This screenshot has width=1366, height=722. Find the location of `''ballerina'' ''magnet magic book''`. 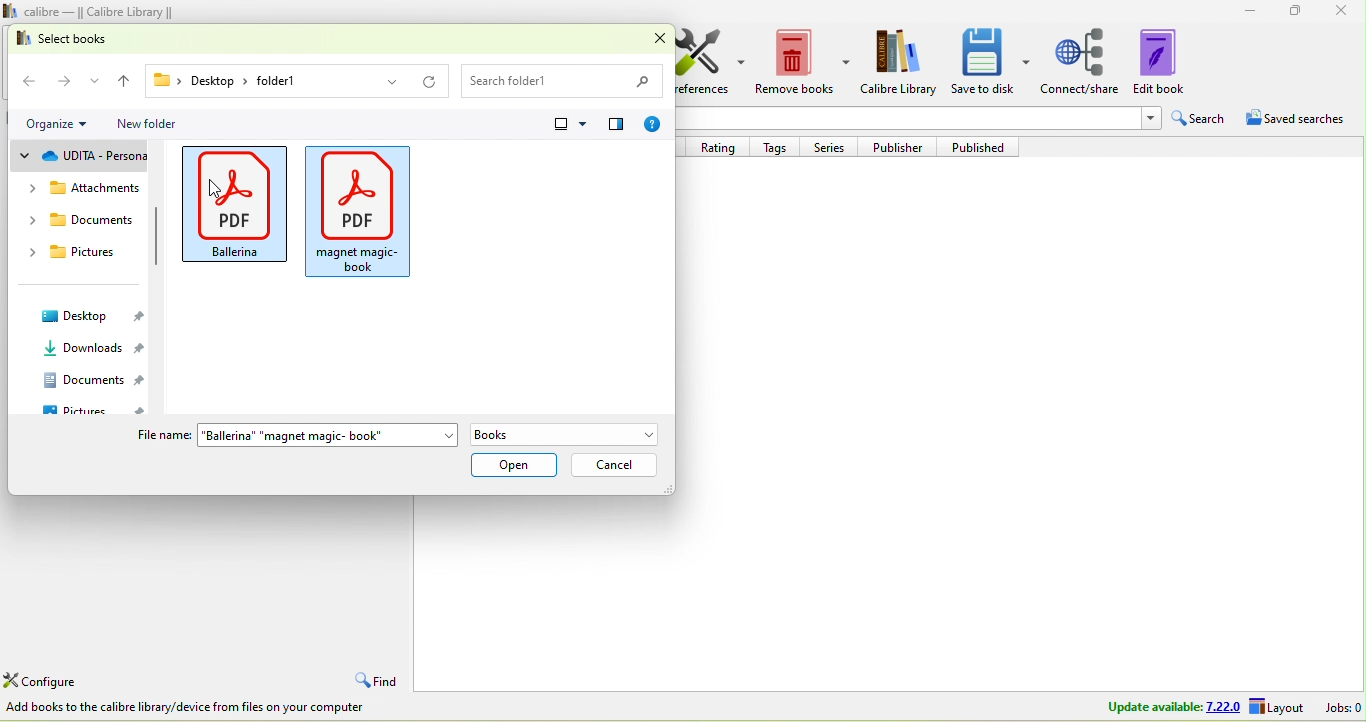

''ballerina'' ''magnet magic book'' is located at coordinates (327, 435).